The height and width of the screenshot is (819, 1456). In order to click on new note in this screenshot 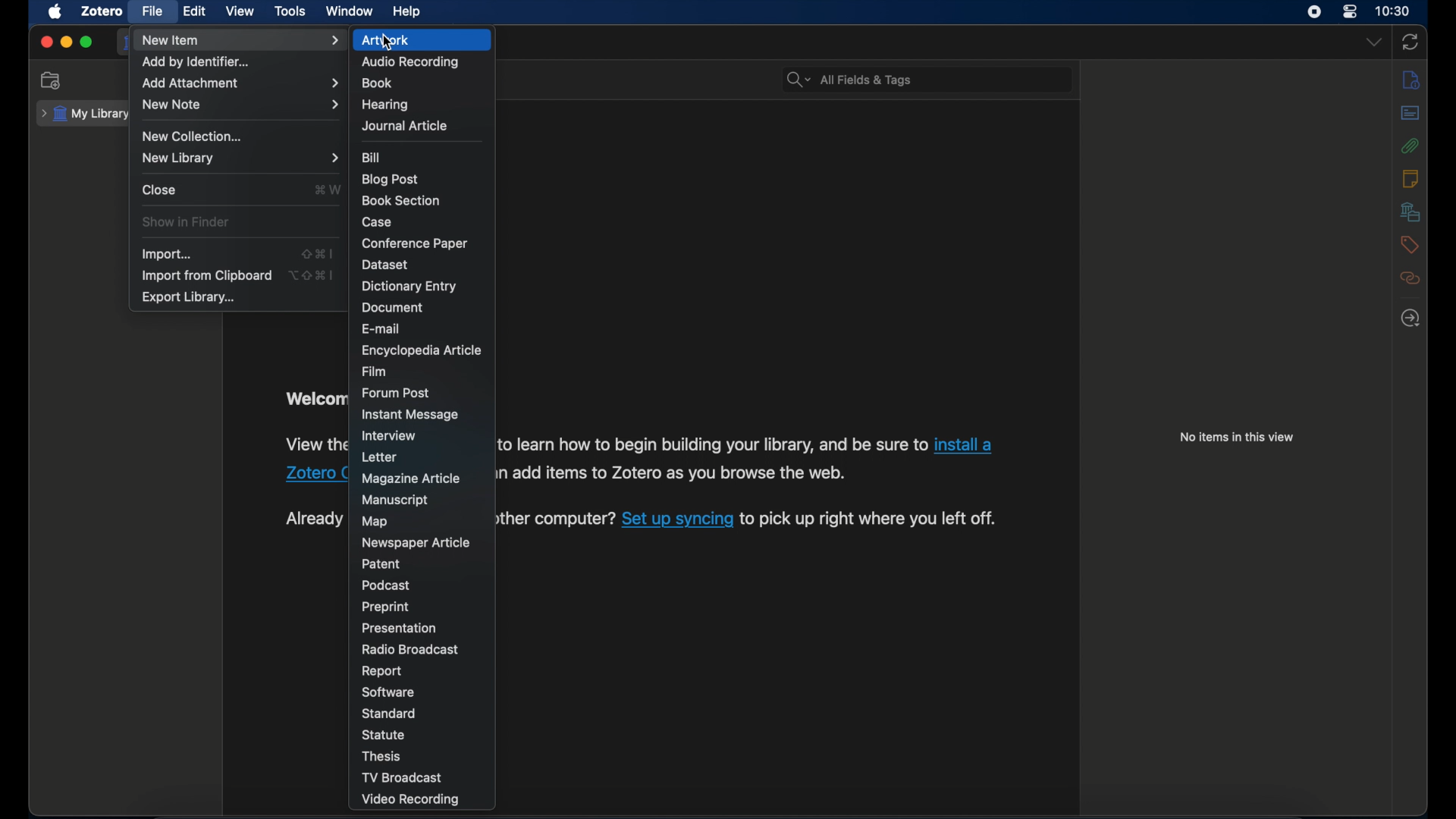, I will do `click(241, 105)`.